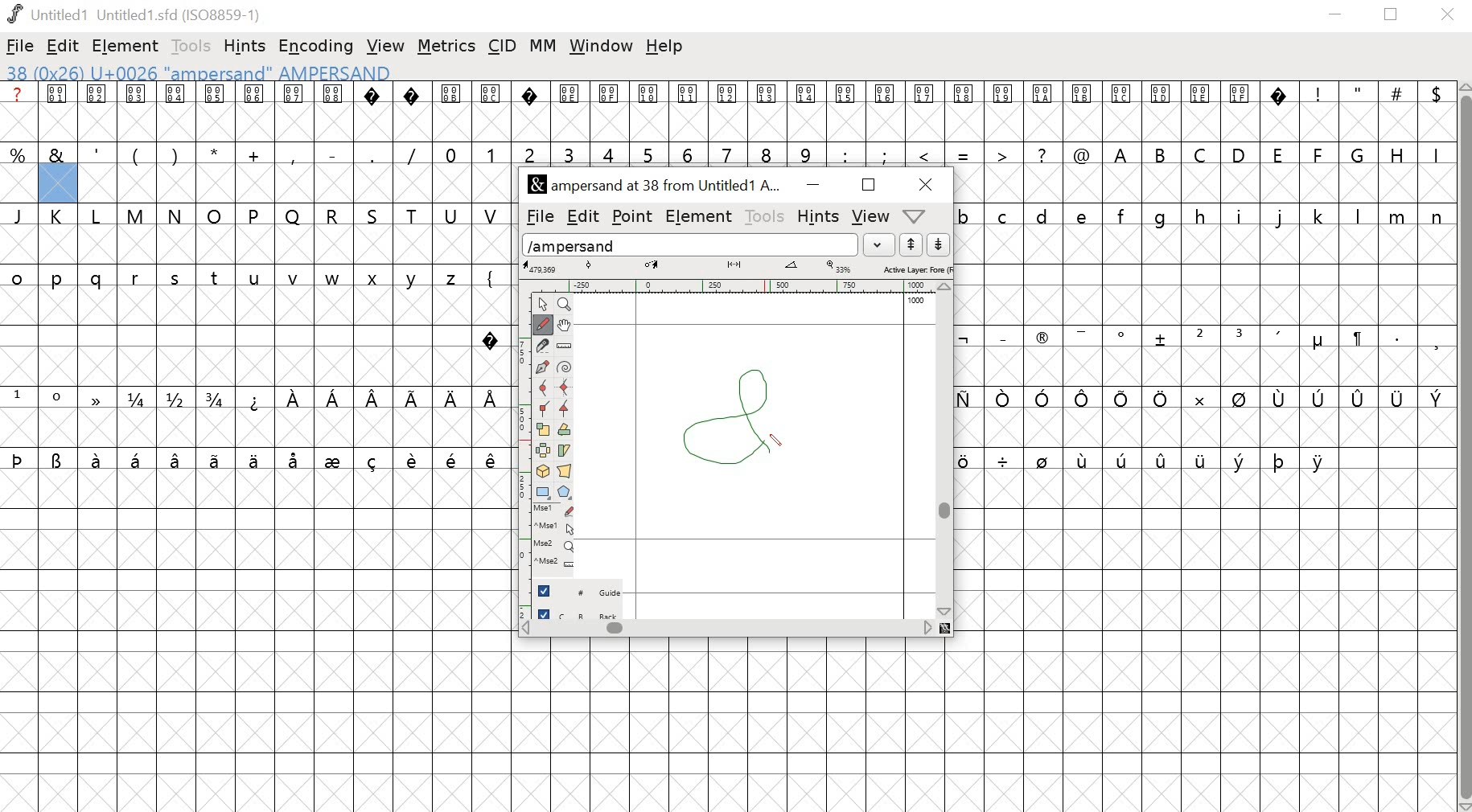 The width and height of the screenshot is (1472, 812). Describe the element at coordinates (98, 399) in the screenshot. I see `symbol` at that location.